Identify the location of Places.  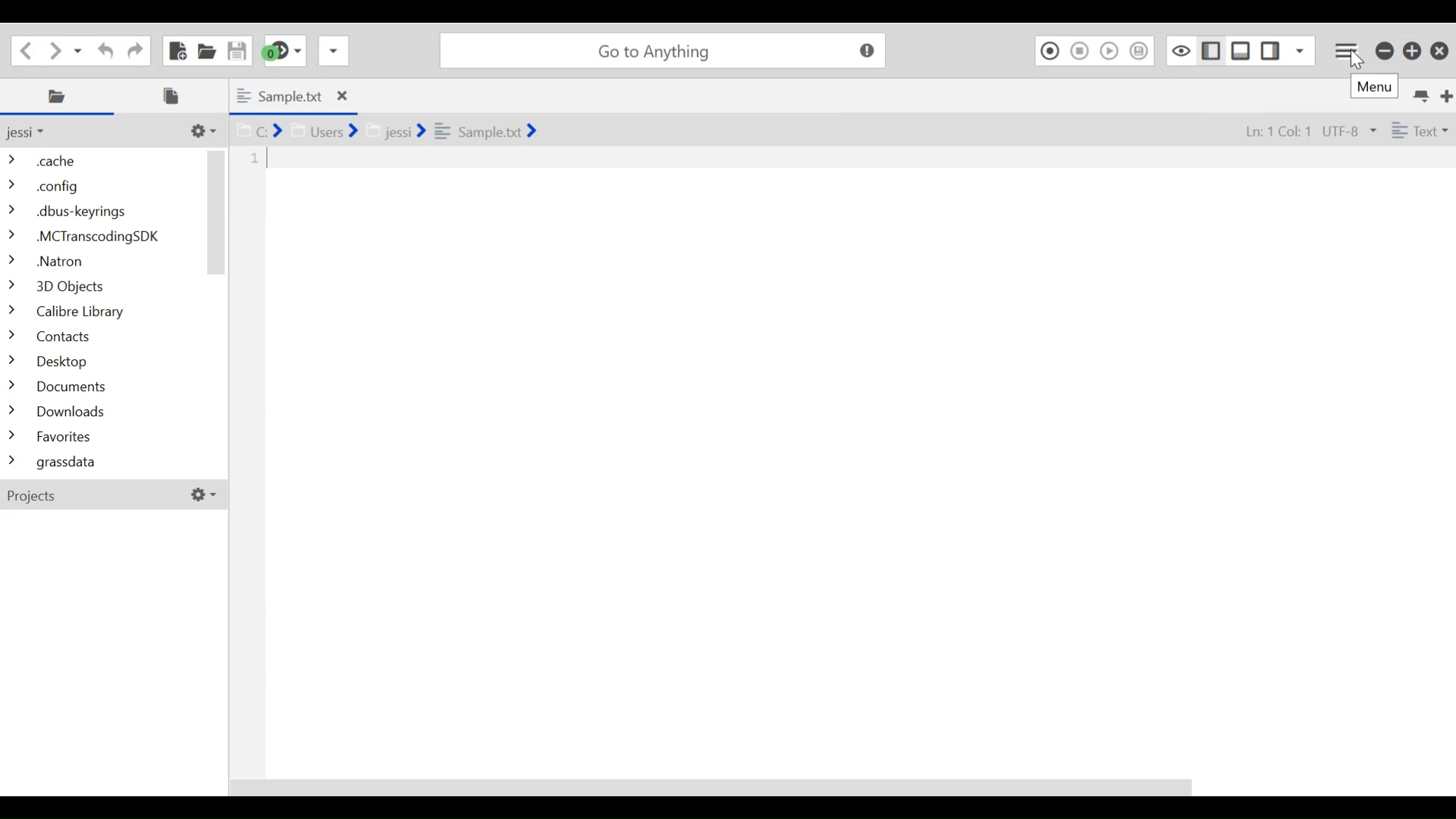
(60, 96).